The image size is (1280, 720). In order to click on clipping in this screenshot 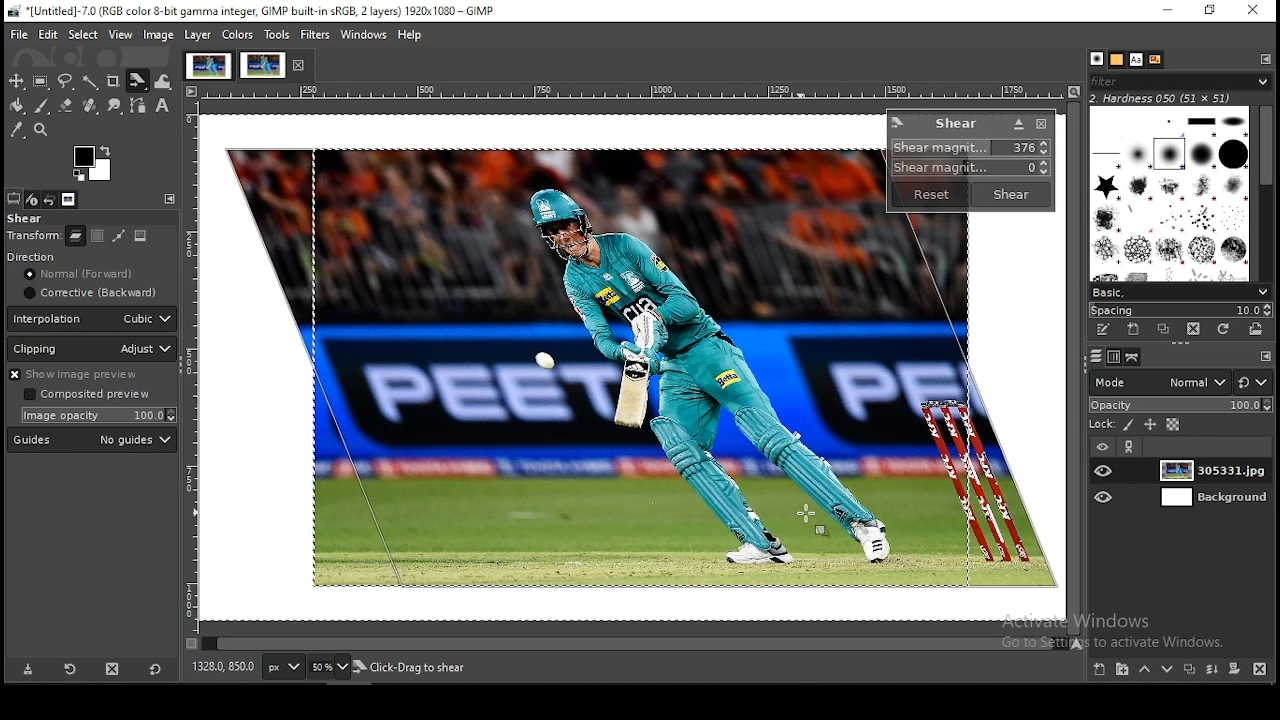, I will do `click(92, 349)`.